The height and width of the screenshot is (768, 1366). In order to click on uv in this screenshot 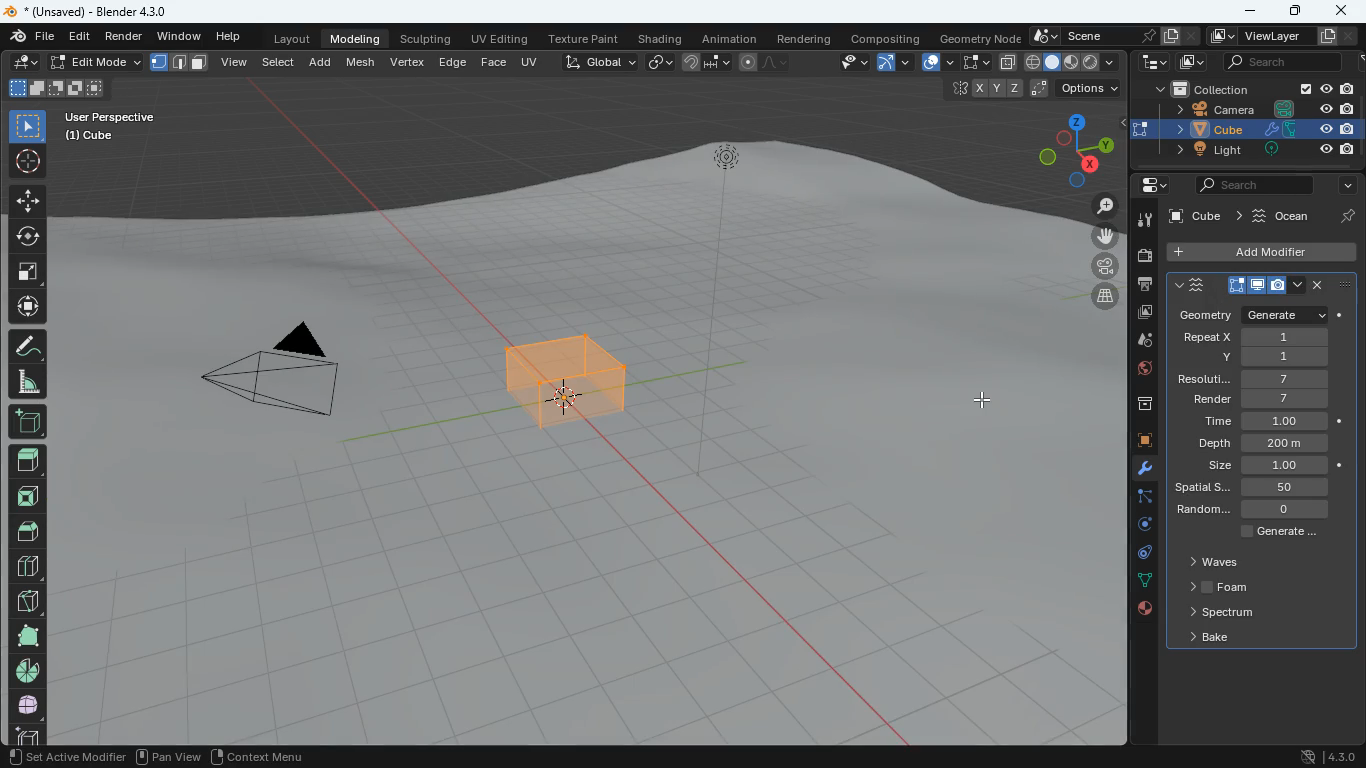, I will do `click(532, 61)`.